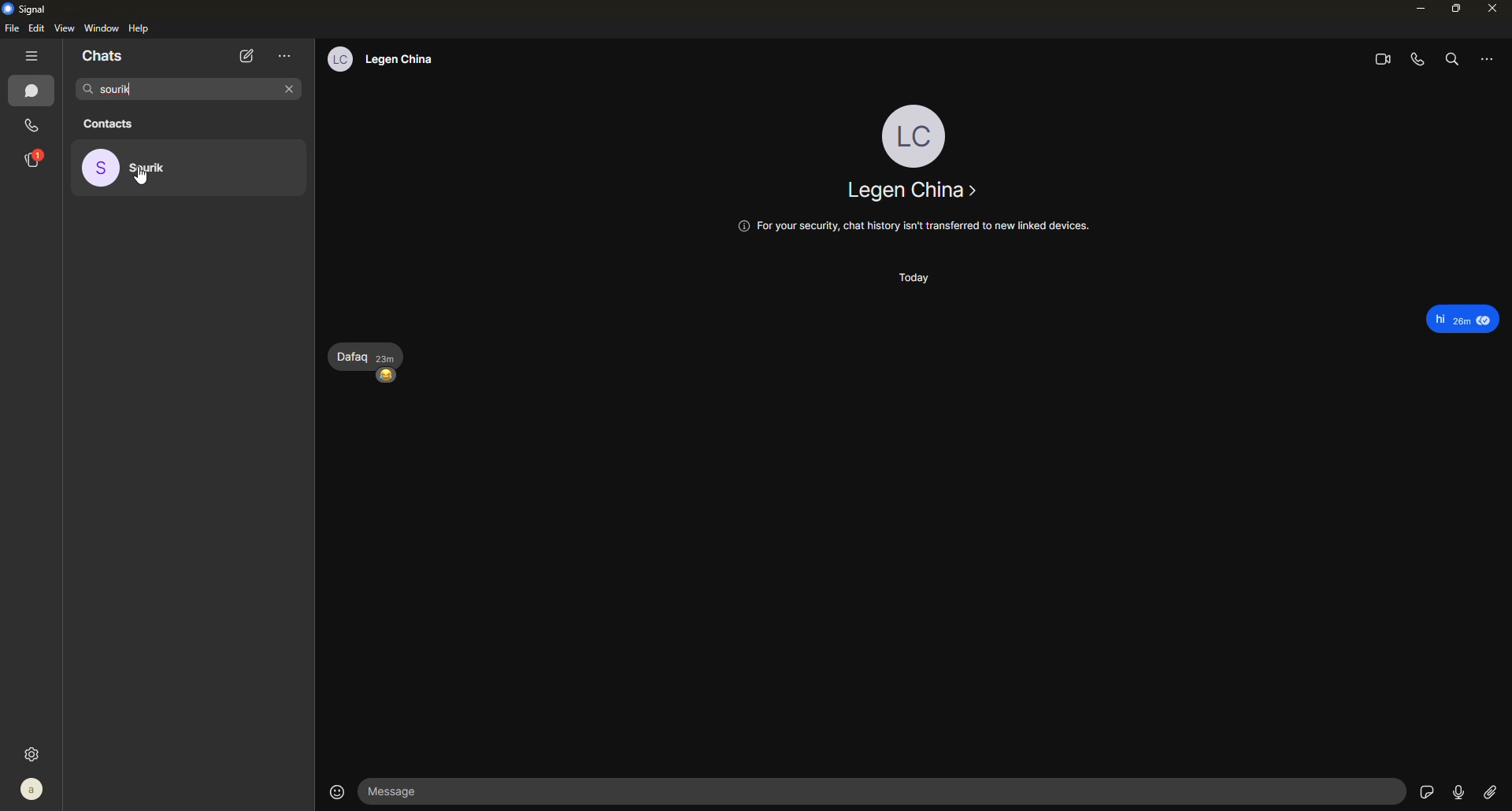 The height and width of the screenshot is (811, 1512). I want to click on edit, so click(36, 29).